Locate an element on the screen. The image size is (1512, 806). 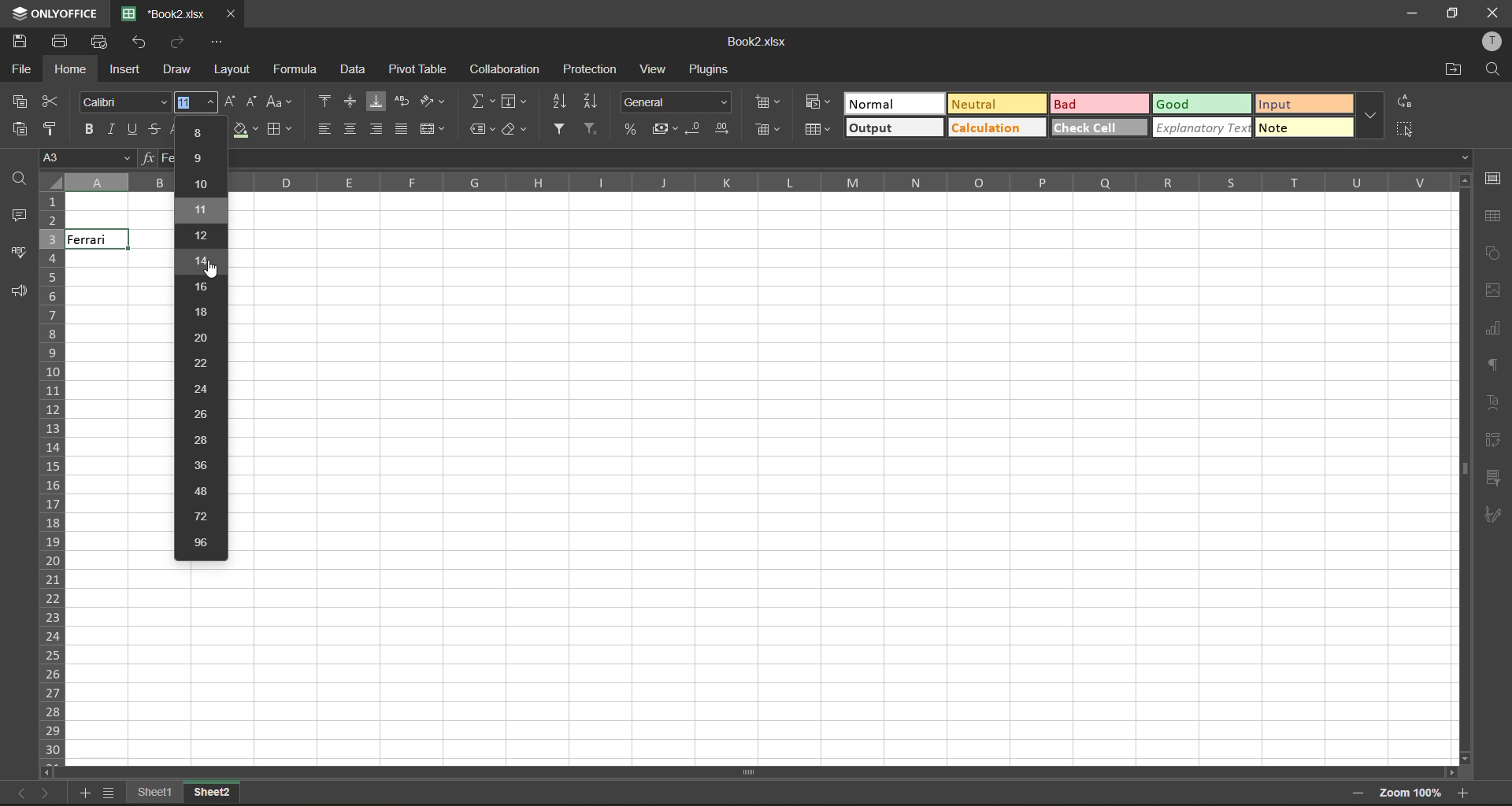
36 is located at coordinates (201, 465).